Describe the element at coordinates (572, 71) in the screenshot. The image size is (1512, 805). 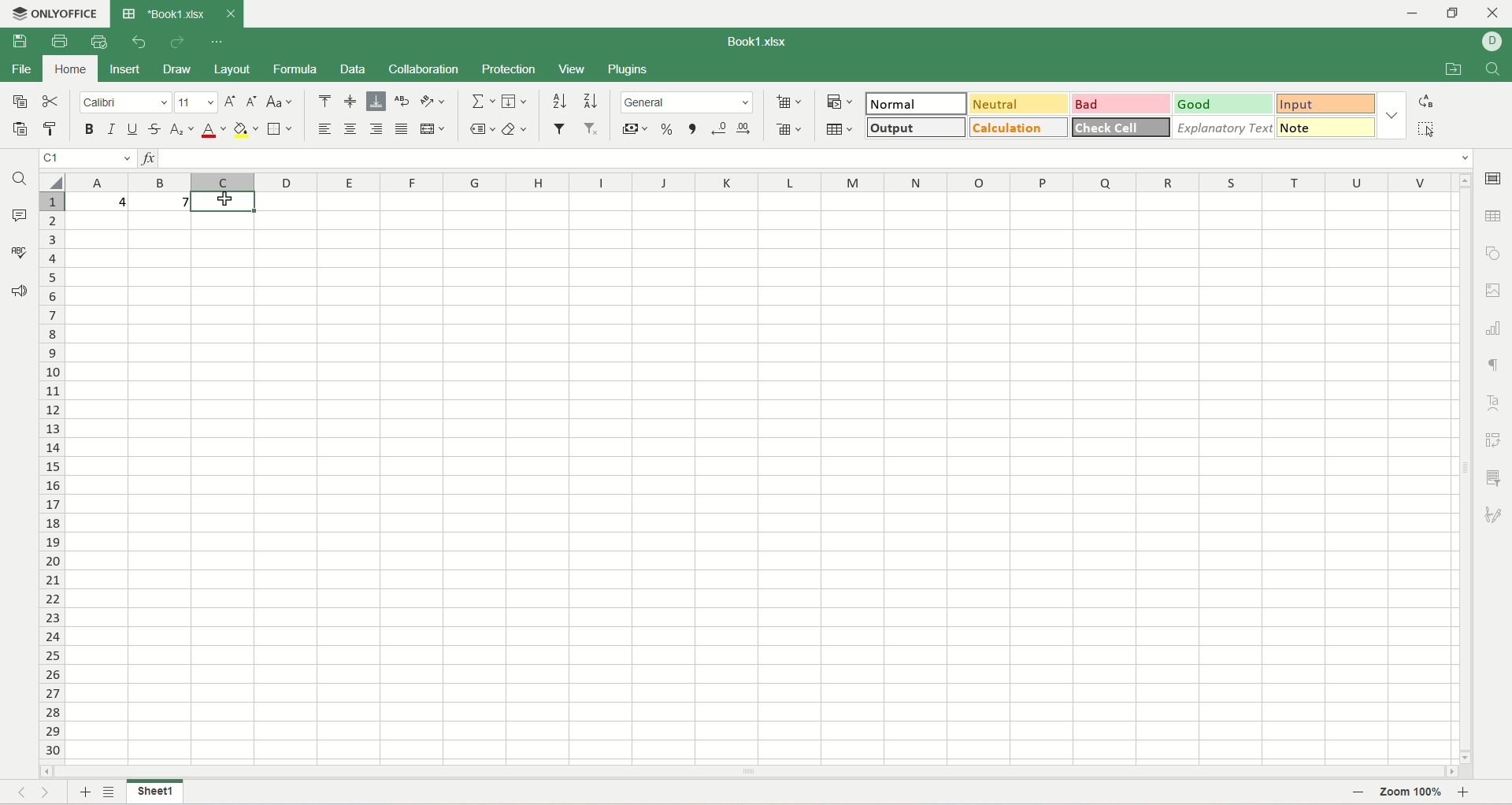
I see `view` at that location.